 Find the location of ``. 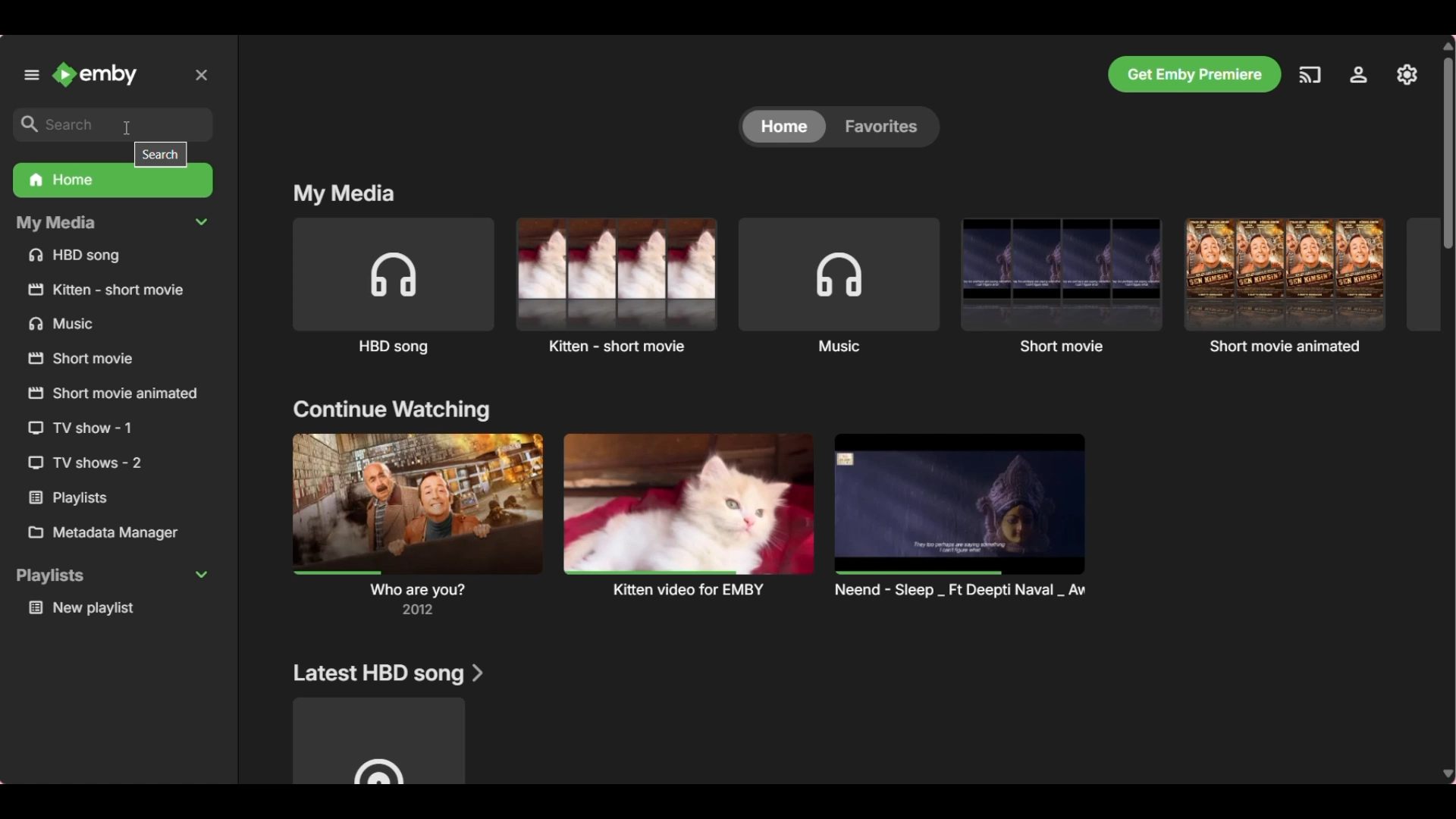

 is located at coordinates (91, 497).